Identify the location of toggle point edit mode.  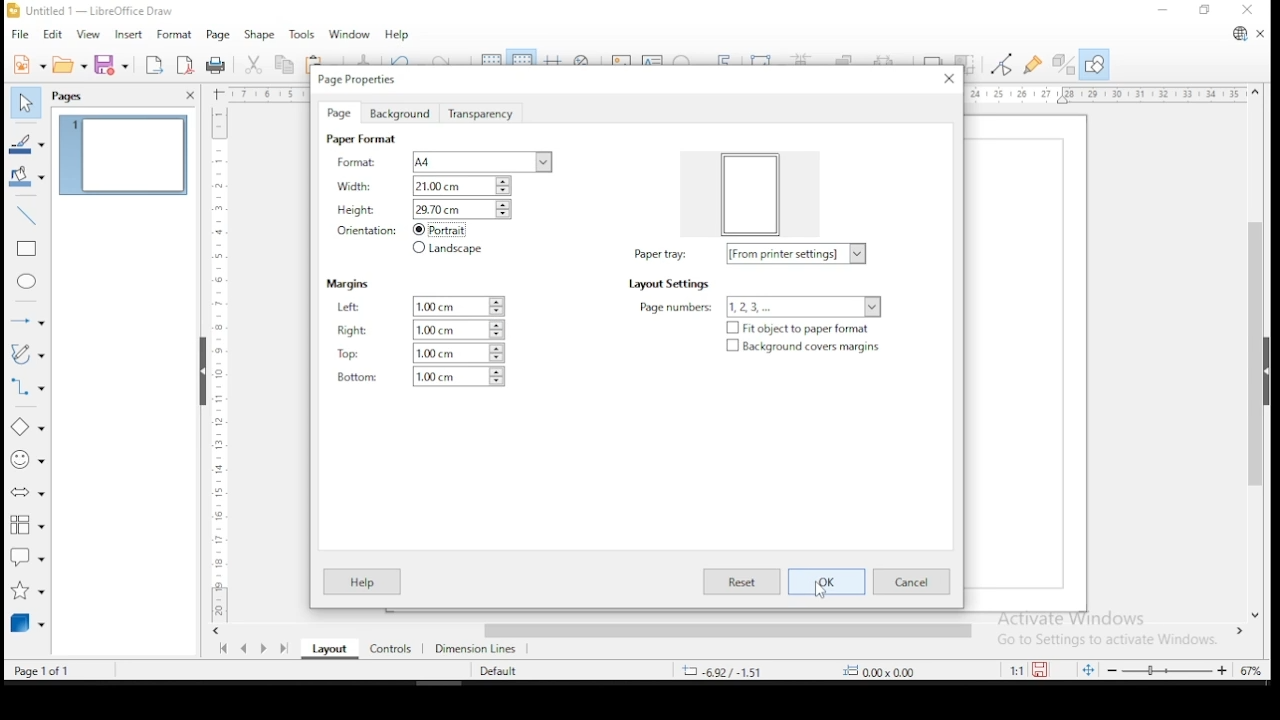
(1004, 64).